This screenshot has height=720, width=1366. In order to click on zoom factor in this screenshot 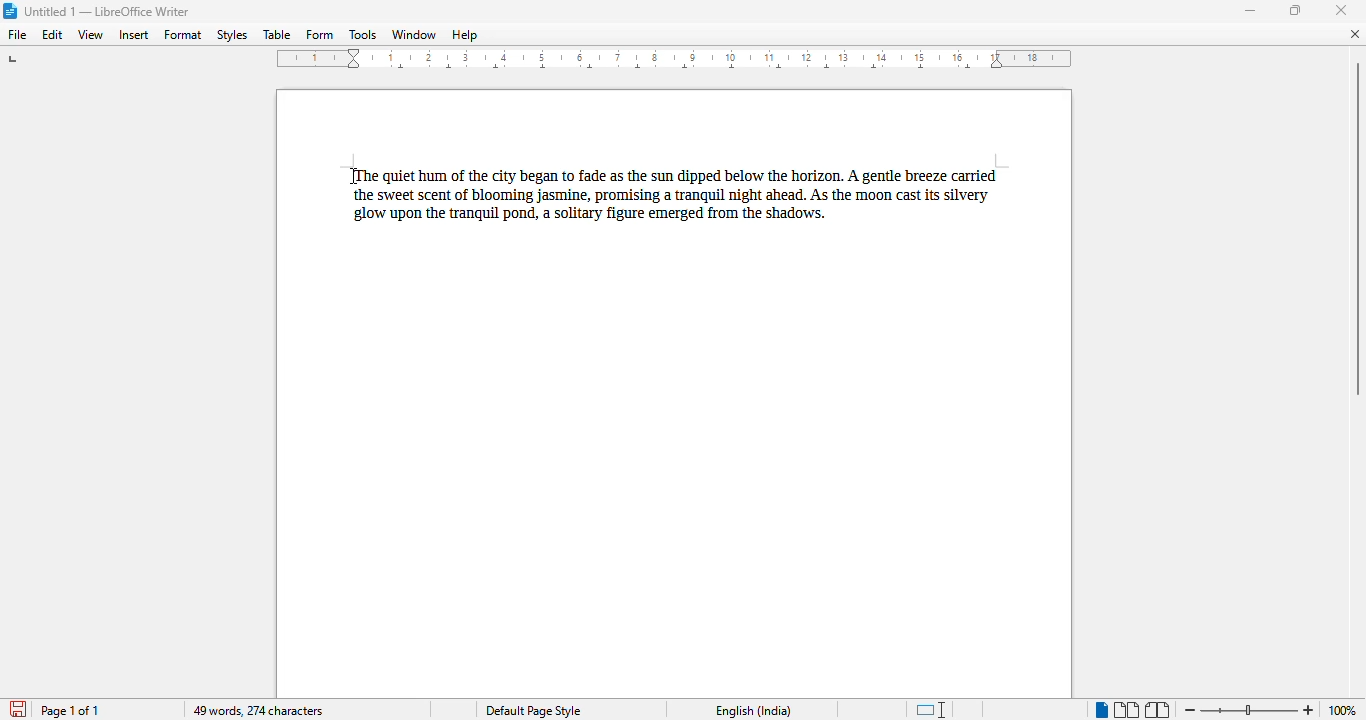, I will do `click(1342, 709)`.